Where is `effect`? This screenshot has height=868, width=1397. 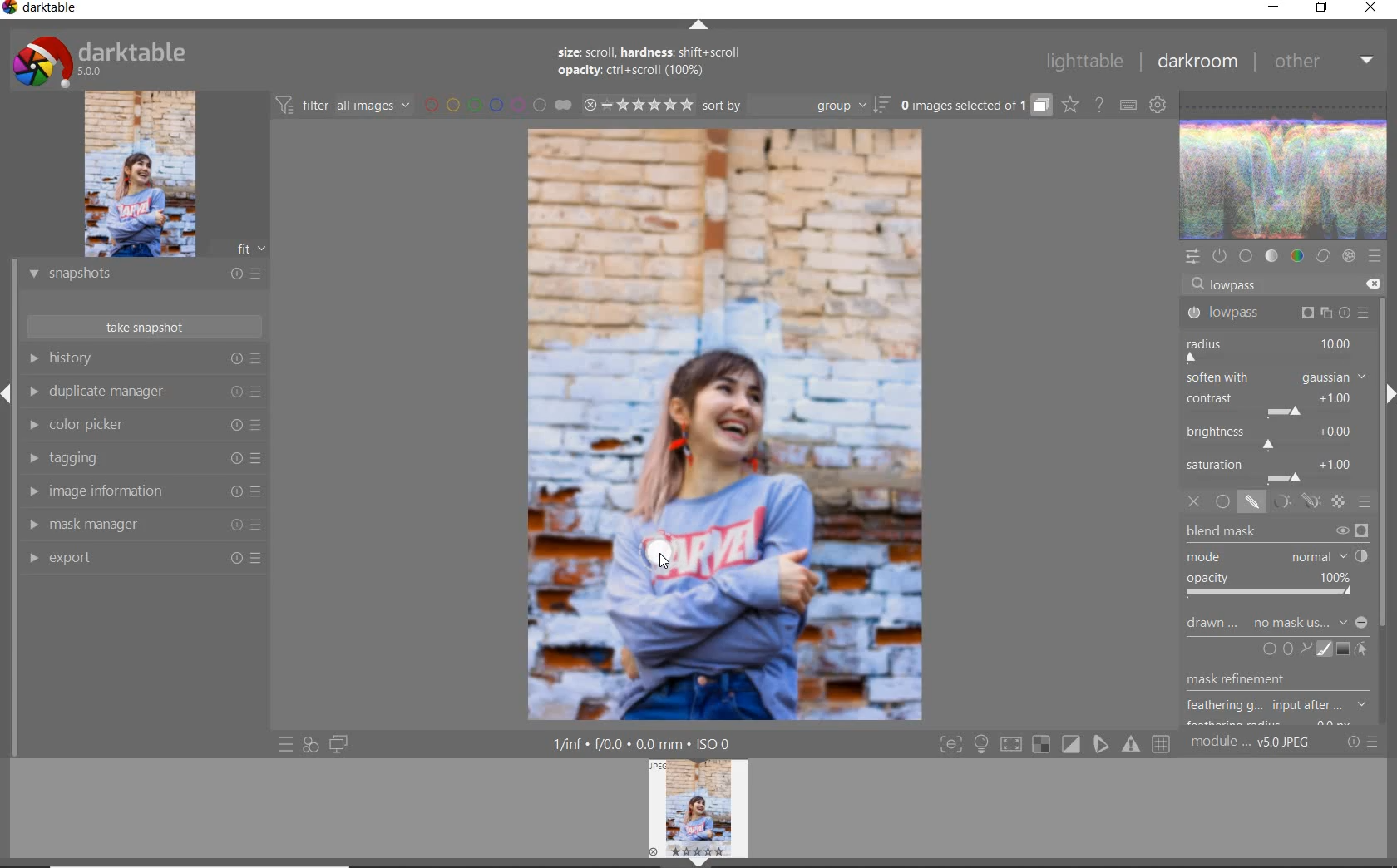 effect is located at coordinates (1346, 257).